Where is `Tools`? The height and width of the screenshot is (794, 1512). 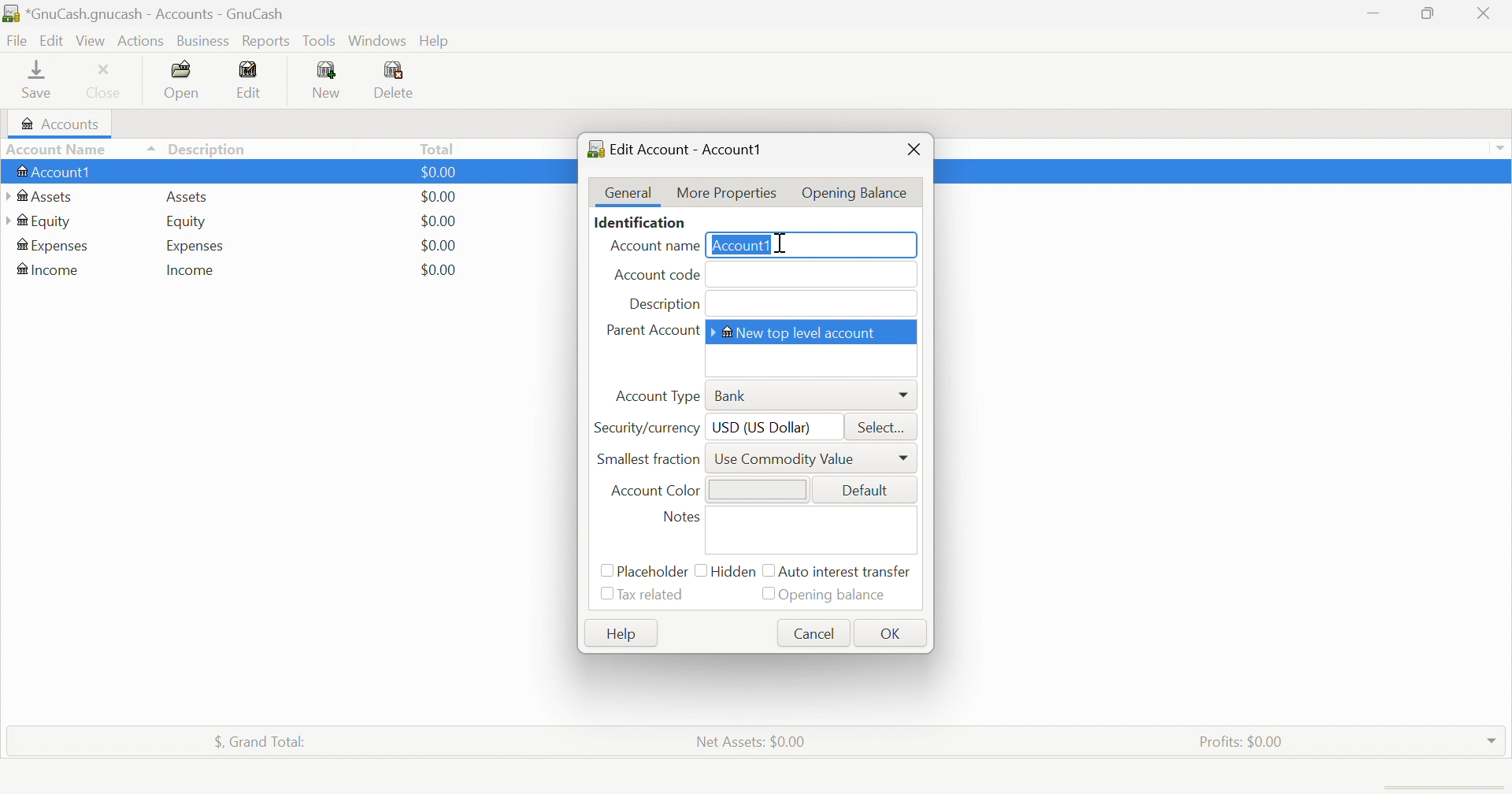
Tools is located at coordinates (319, 42).